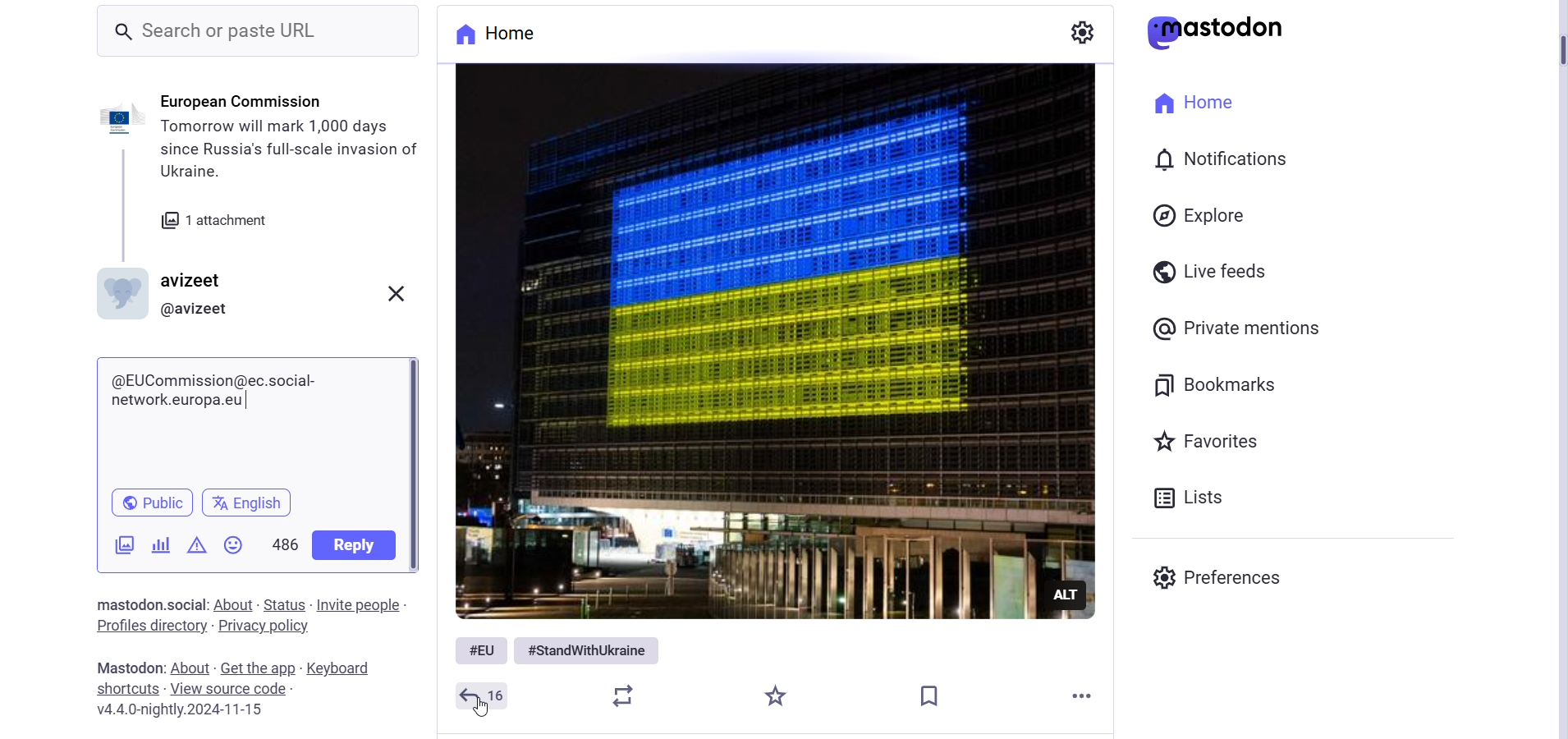 The image size is (1568, 739). What do you see at coordinates (395, 295) in the screenshot?
I see `Close` at bounding box center [395, 295].